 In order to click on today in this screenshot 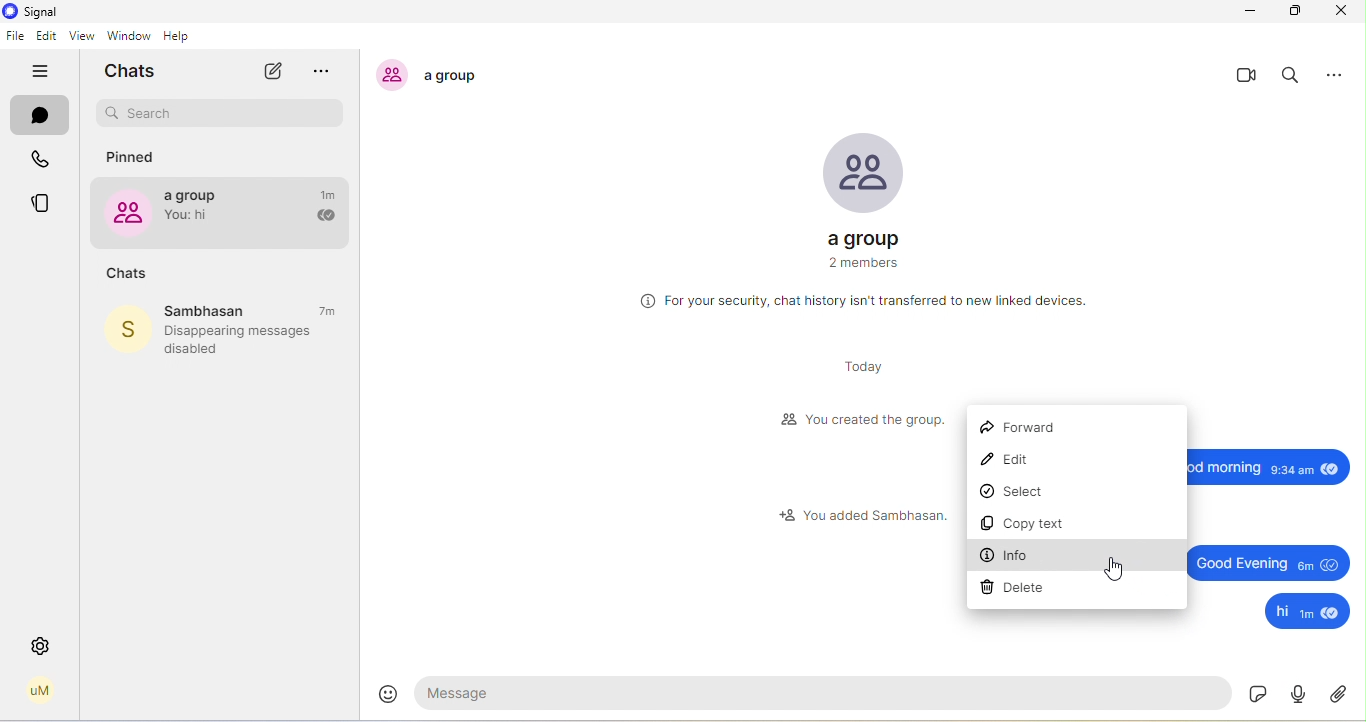, I will do `click(858, 368)`.